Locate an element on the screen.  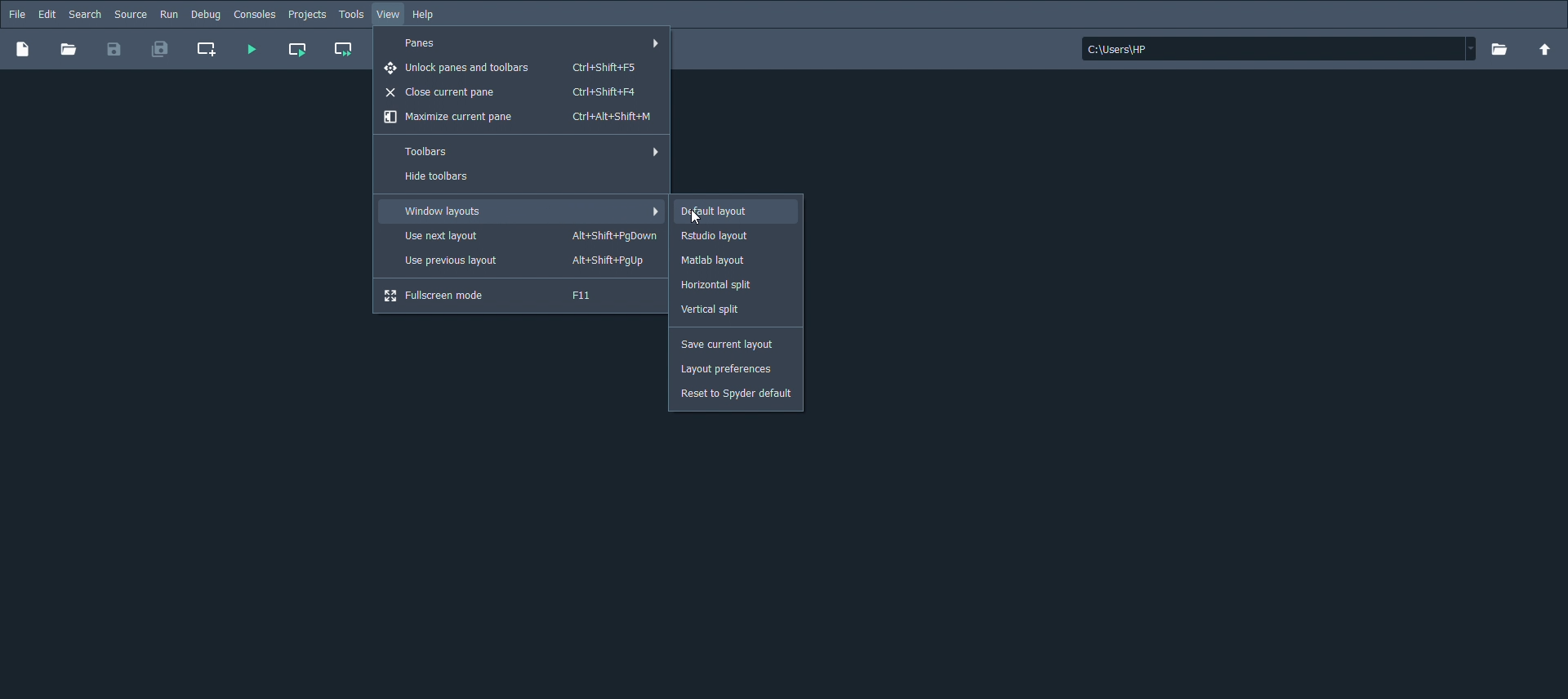
Close current pane is located at coordinates (512, 91).